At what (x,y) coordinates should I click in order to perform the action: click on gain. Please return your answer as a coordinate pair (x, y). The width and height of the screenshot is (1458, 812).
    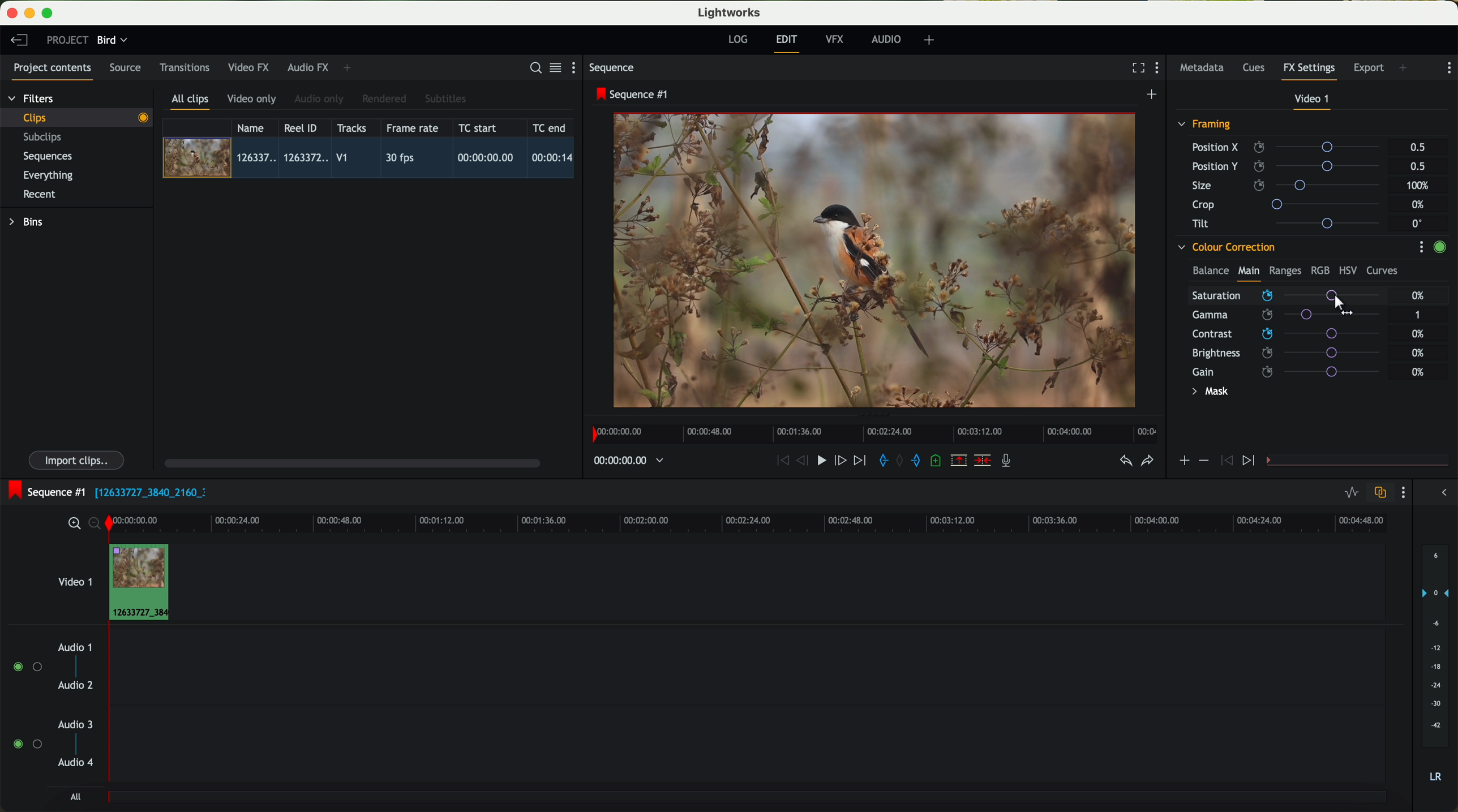
    Looking at the image, I should click on (1293, 371).